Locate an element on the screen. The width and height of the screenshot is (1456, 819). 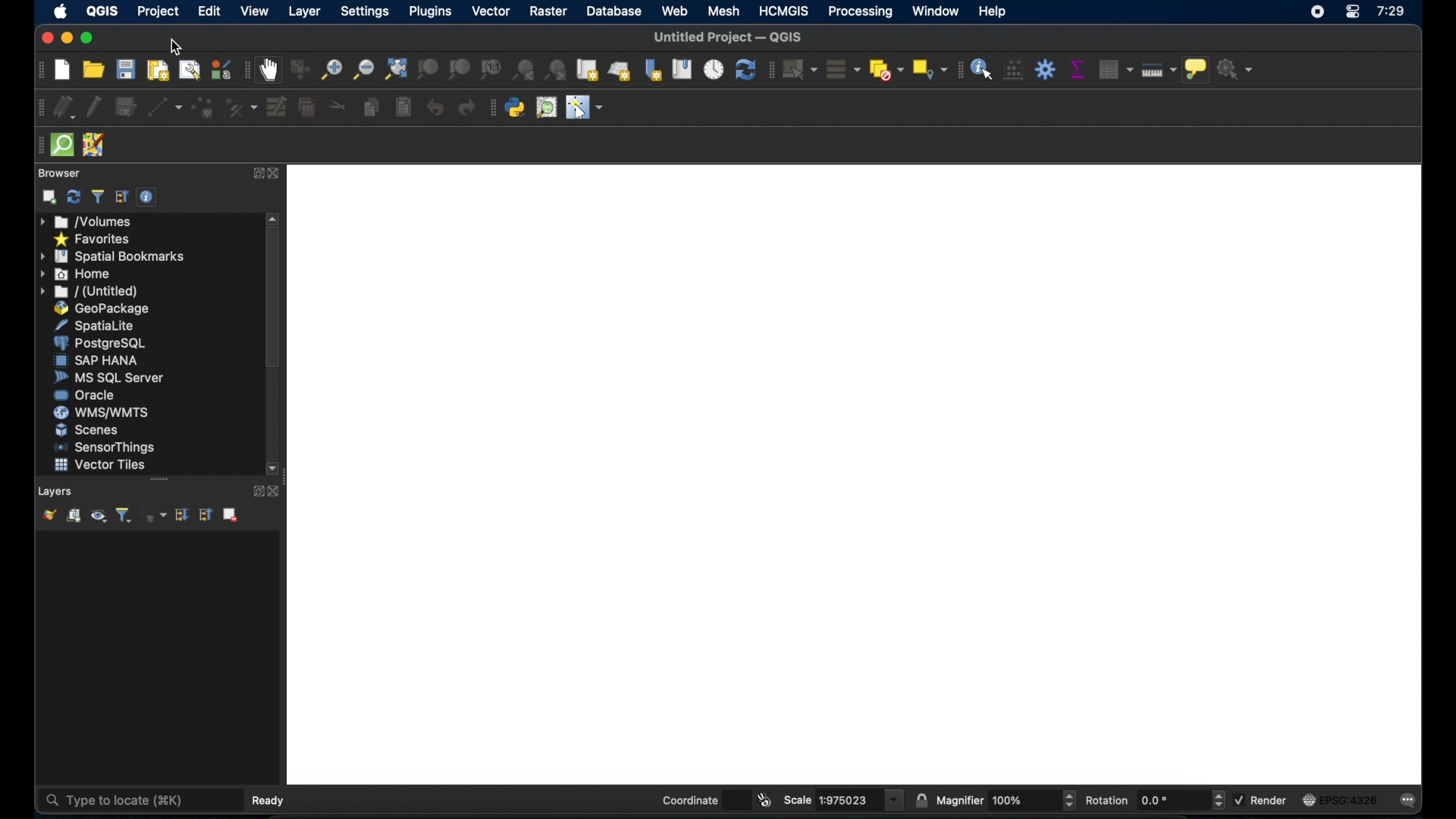
scale value is located at coordinates (850, 799).